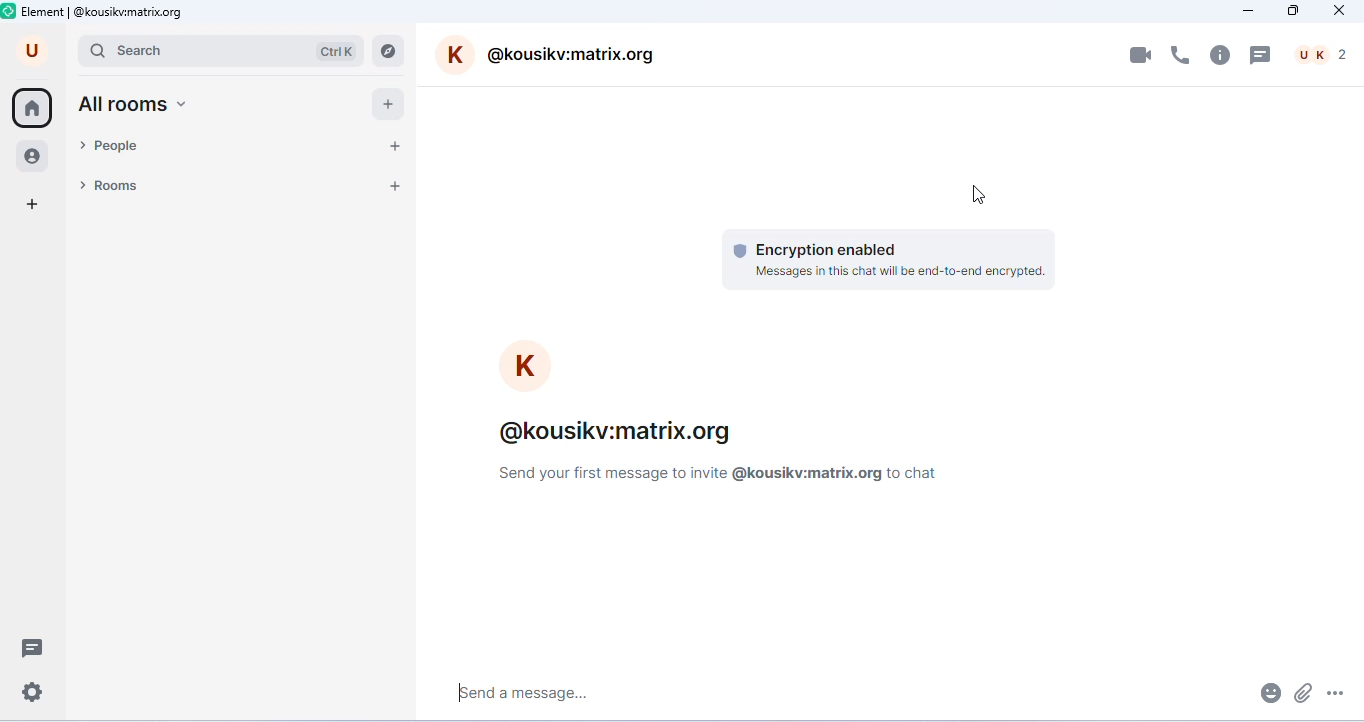 Image resolution: width=1364 pixels, height=722 pixels. I want to click on start chat, so click(399, 146).